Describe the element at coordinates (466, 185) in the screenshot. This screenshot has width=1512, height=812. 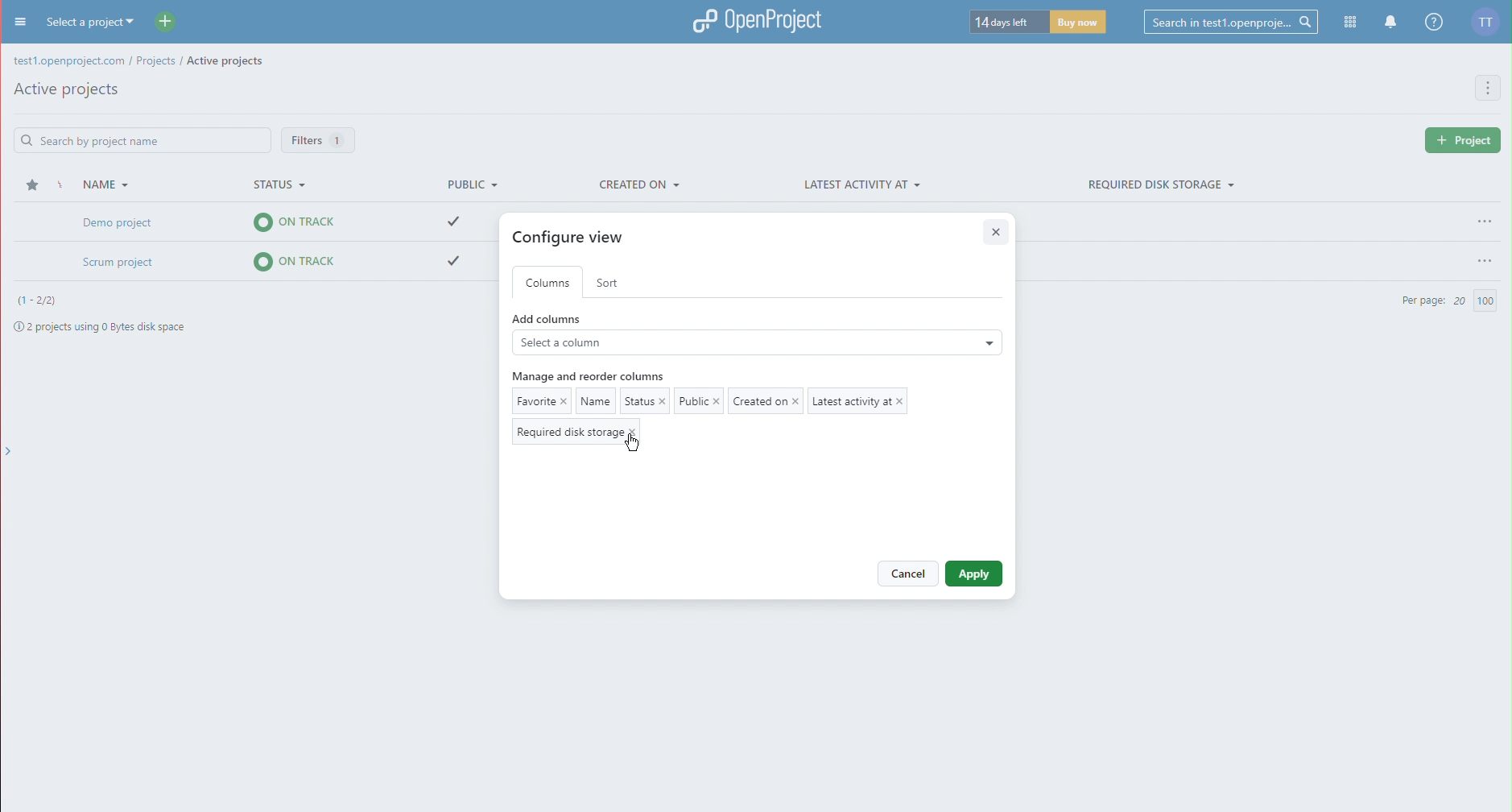
I see `Public` at that location.